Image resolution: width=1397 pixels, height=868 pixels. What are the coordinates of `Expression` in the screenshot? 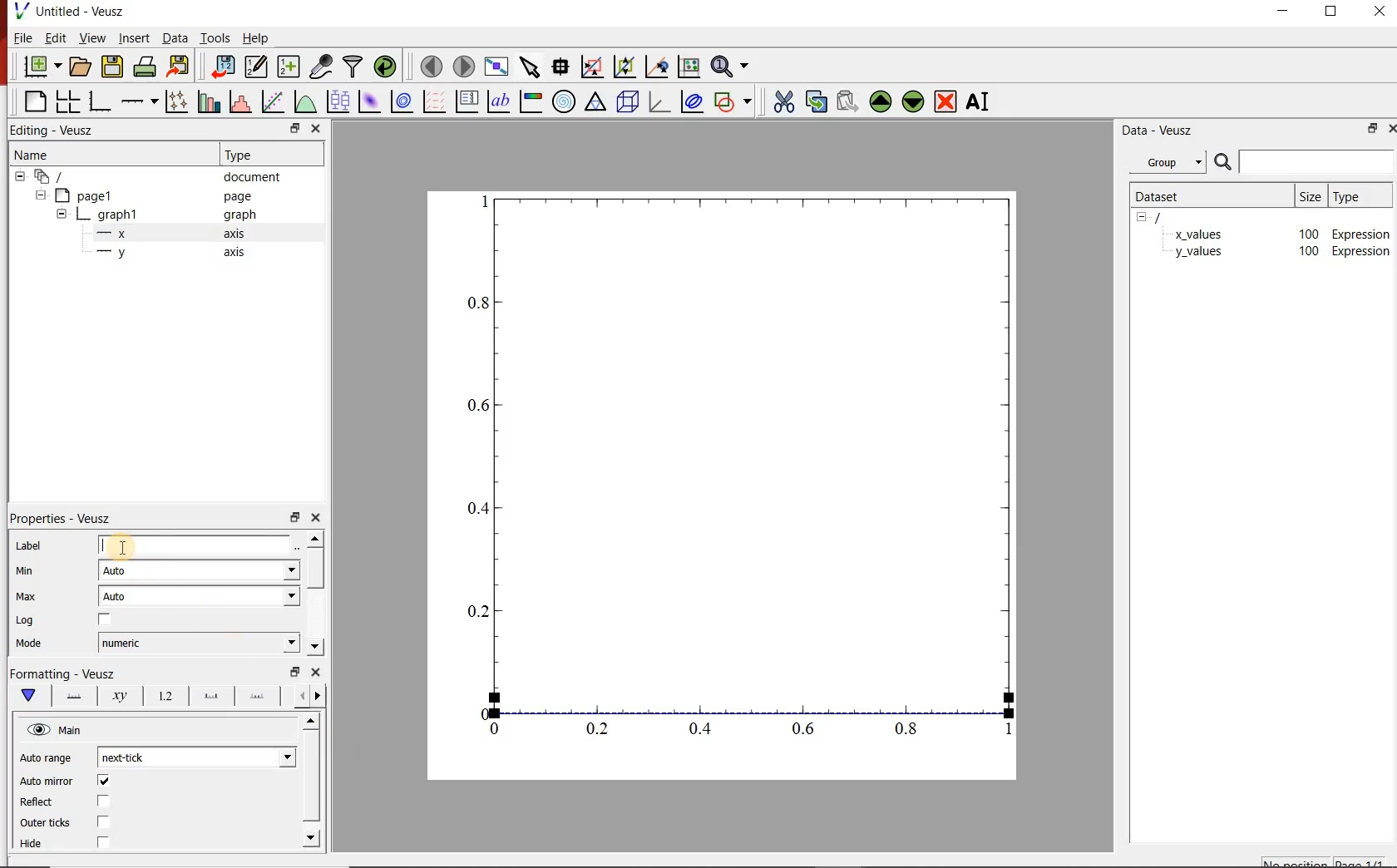 It's located at (1361, 252).